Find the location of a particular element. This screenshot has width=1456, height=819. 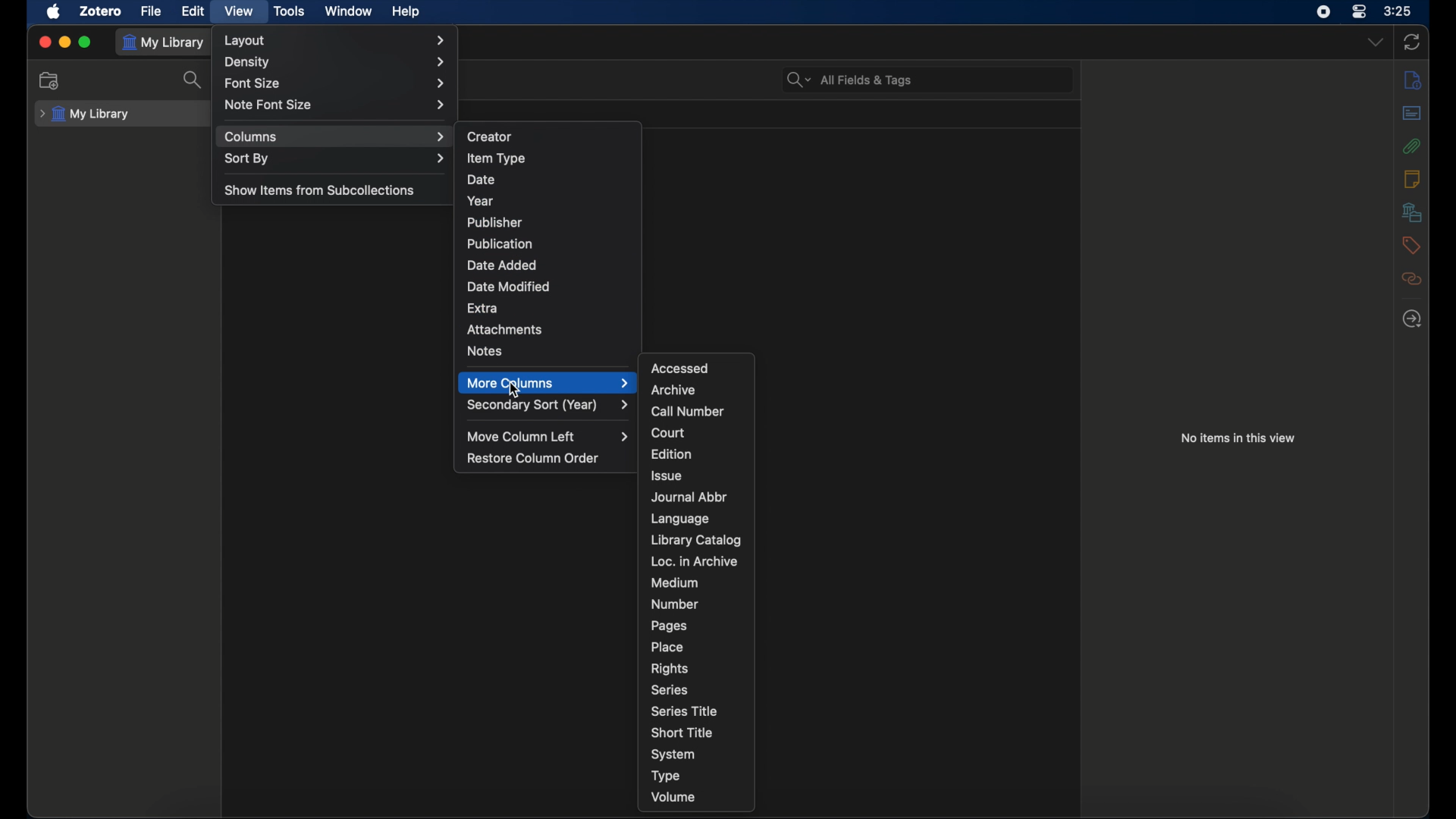

time is located at coordinates (1398, 11).